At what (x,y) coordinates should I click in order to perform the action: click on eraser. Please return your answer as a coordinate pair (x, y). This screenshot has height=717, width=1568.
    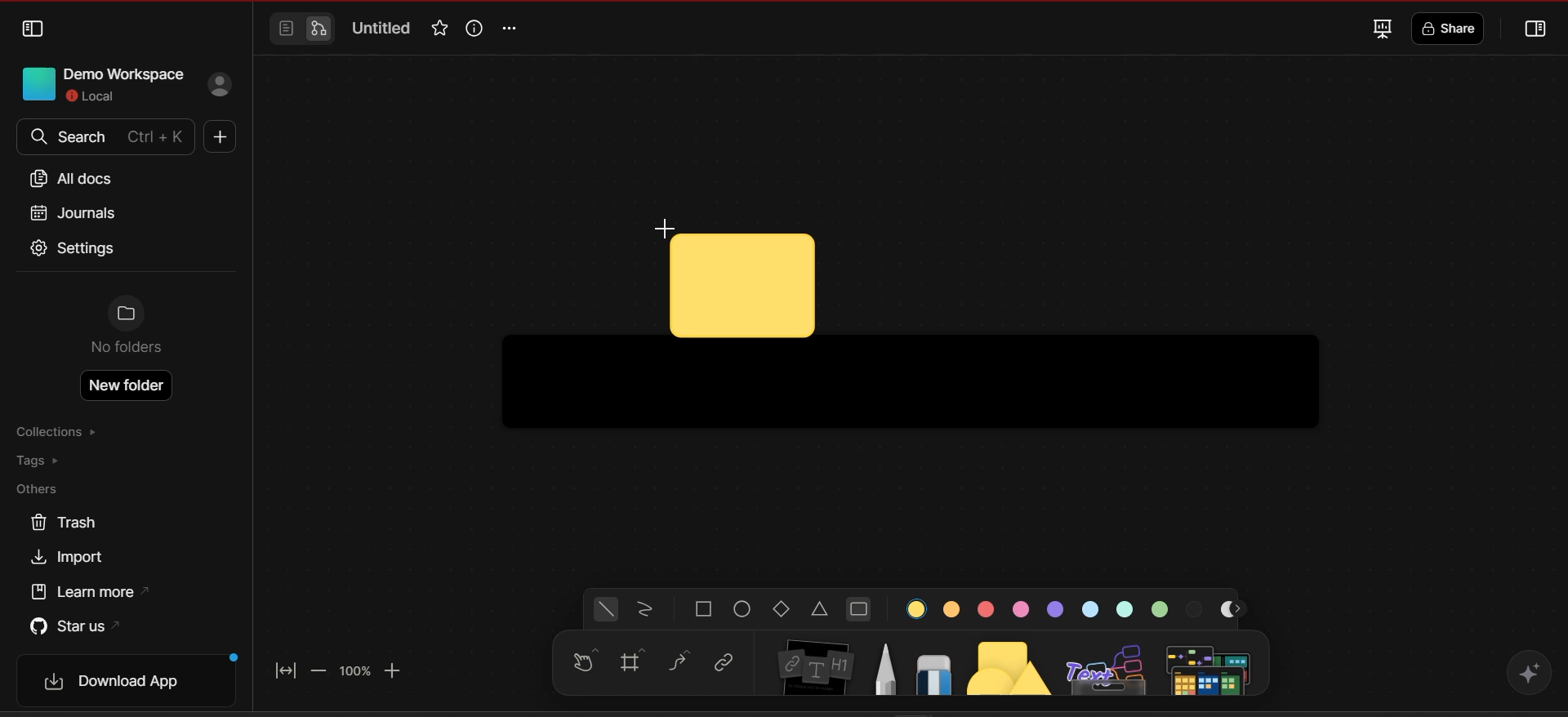
    Looking at the image, I should click on (934, 670).